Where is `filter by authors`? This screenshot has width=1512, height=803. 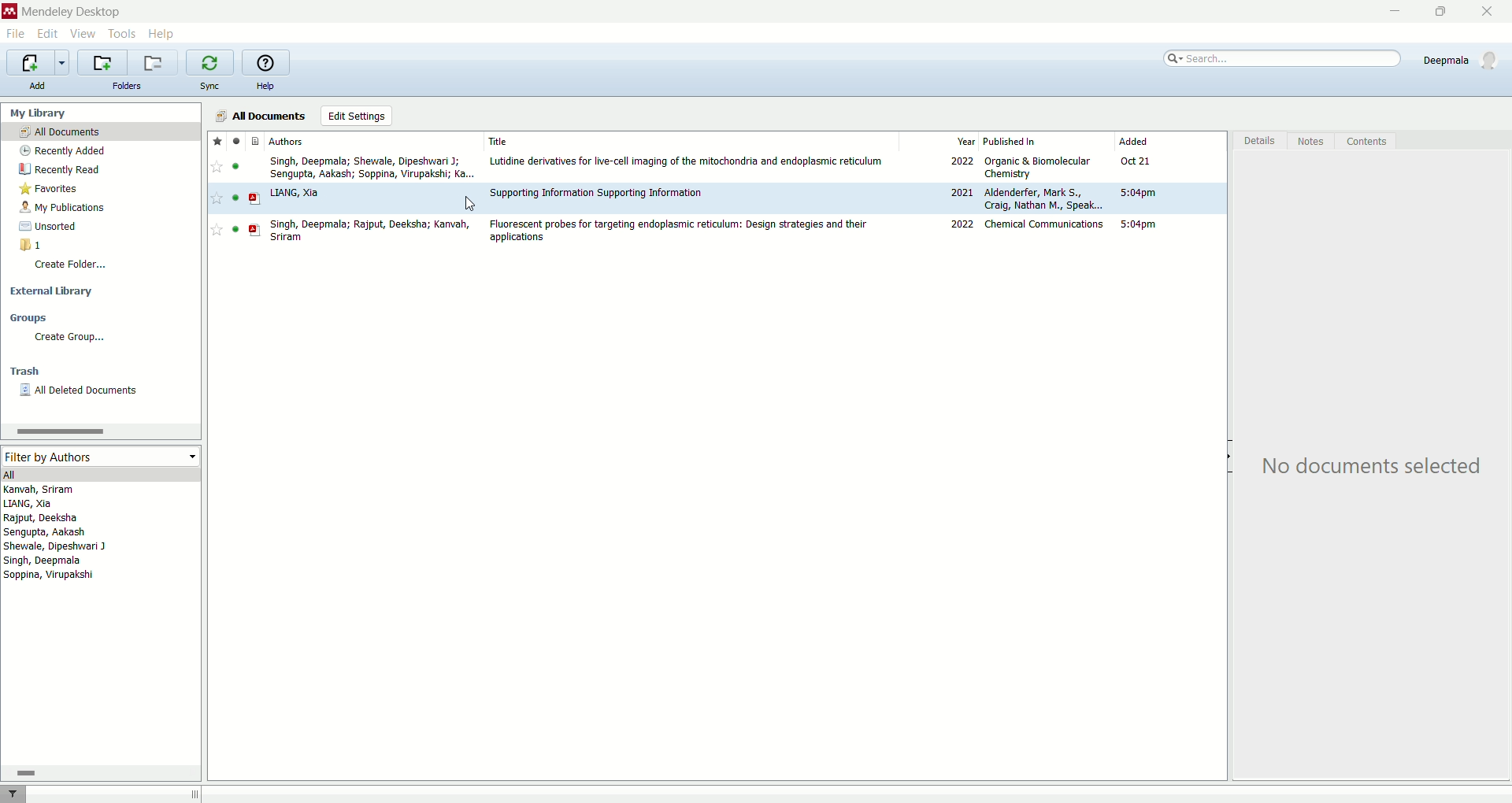
filter by authors is located at coordinates (102, 457).